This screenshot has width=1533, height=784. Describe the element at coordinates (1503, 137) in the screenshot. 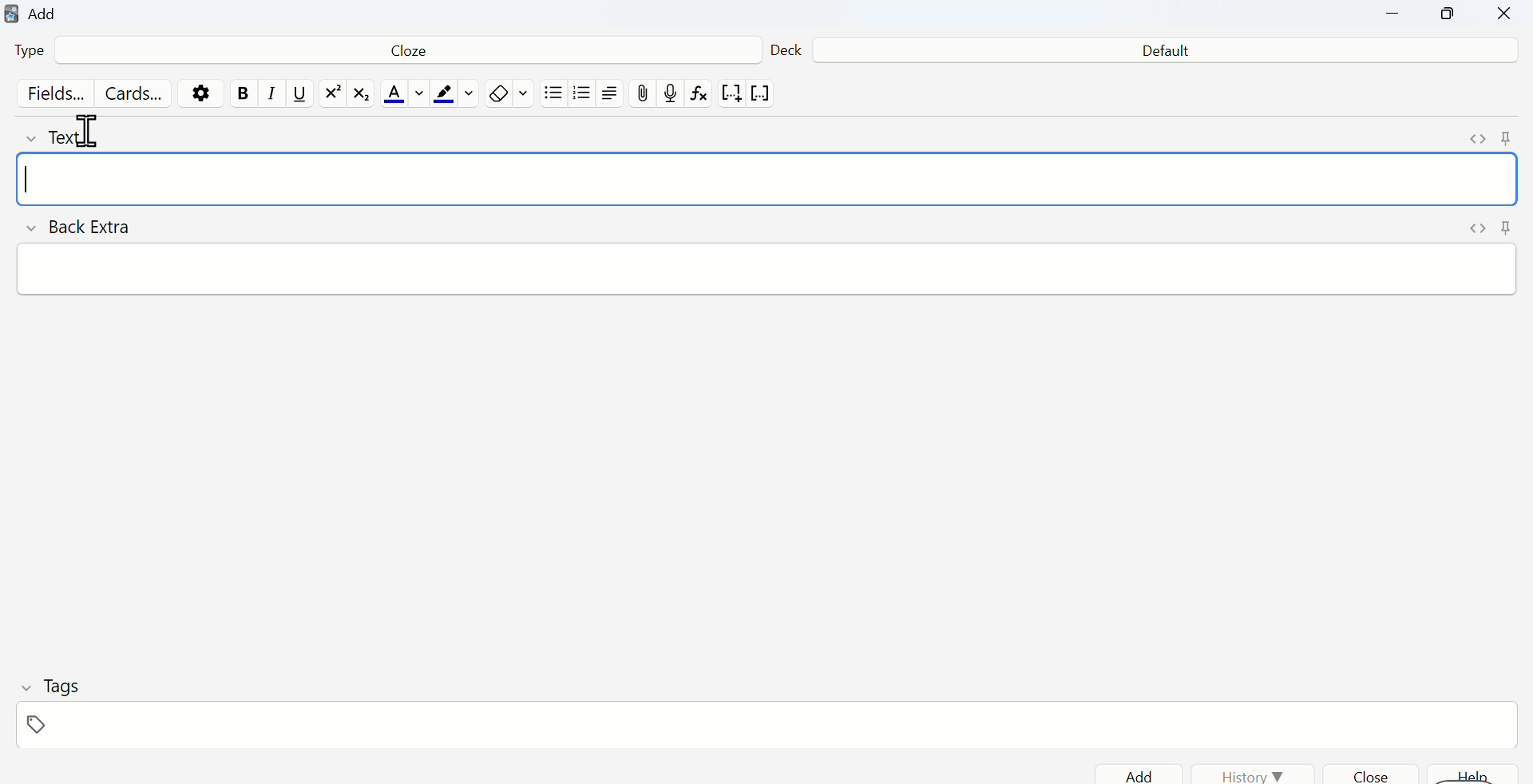

I see `Pin` at that location.